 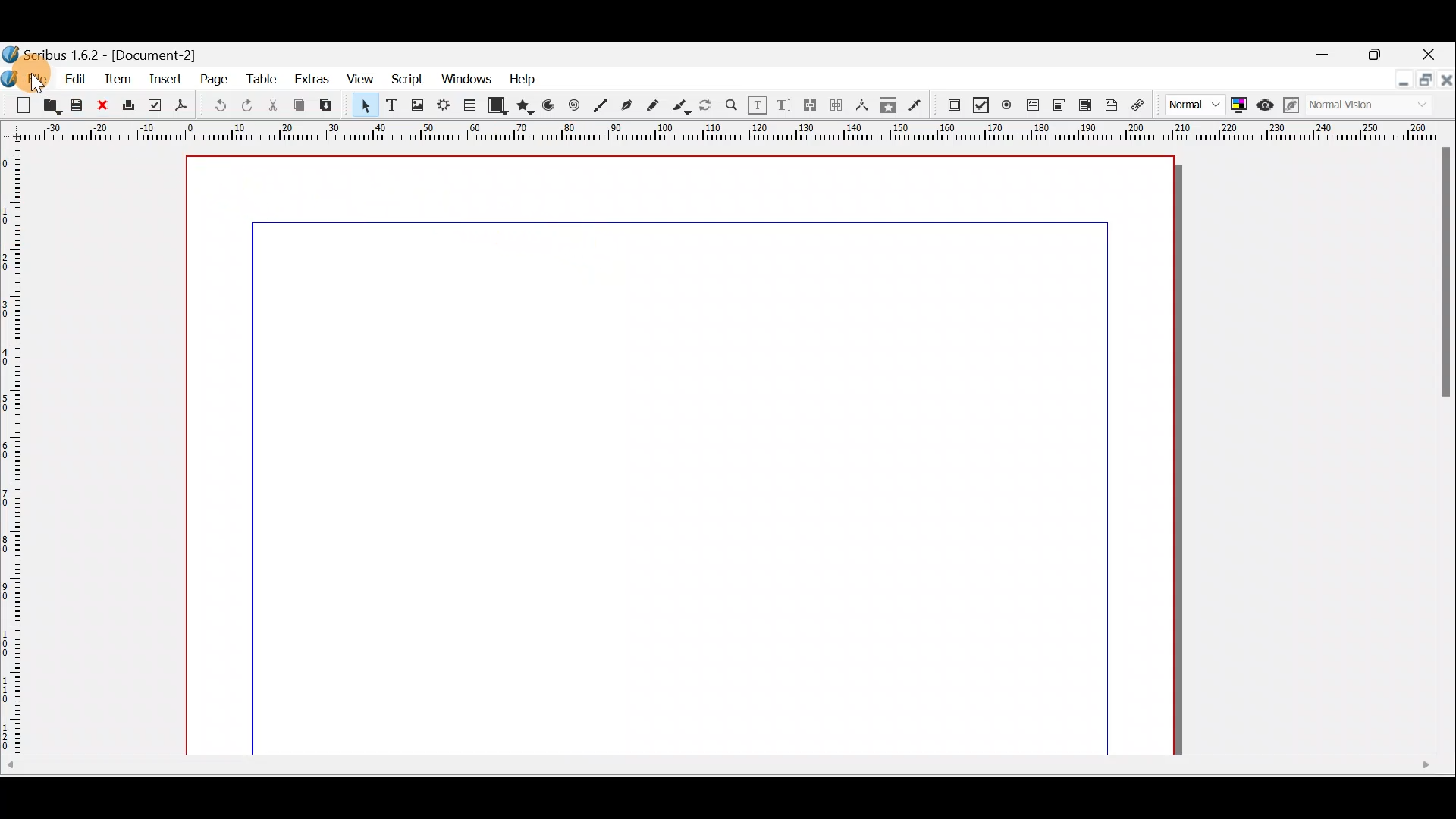 What do you see at coordinates (181, 107) in the screenshot?
I see `Save as PDF` at bounding box center [181, 107].